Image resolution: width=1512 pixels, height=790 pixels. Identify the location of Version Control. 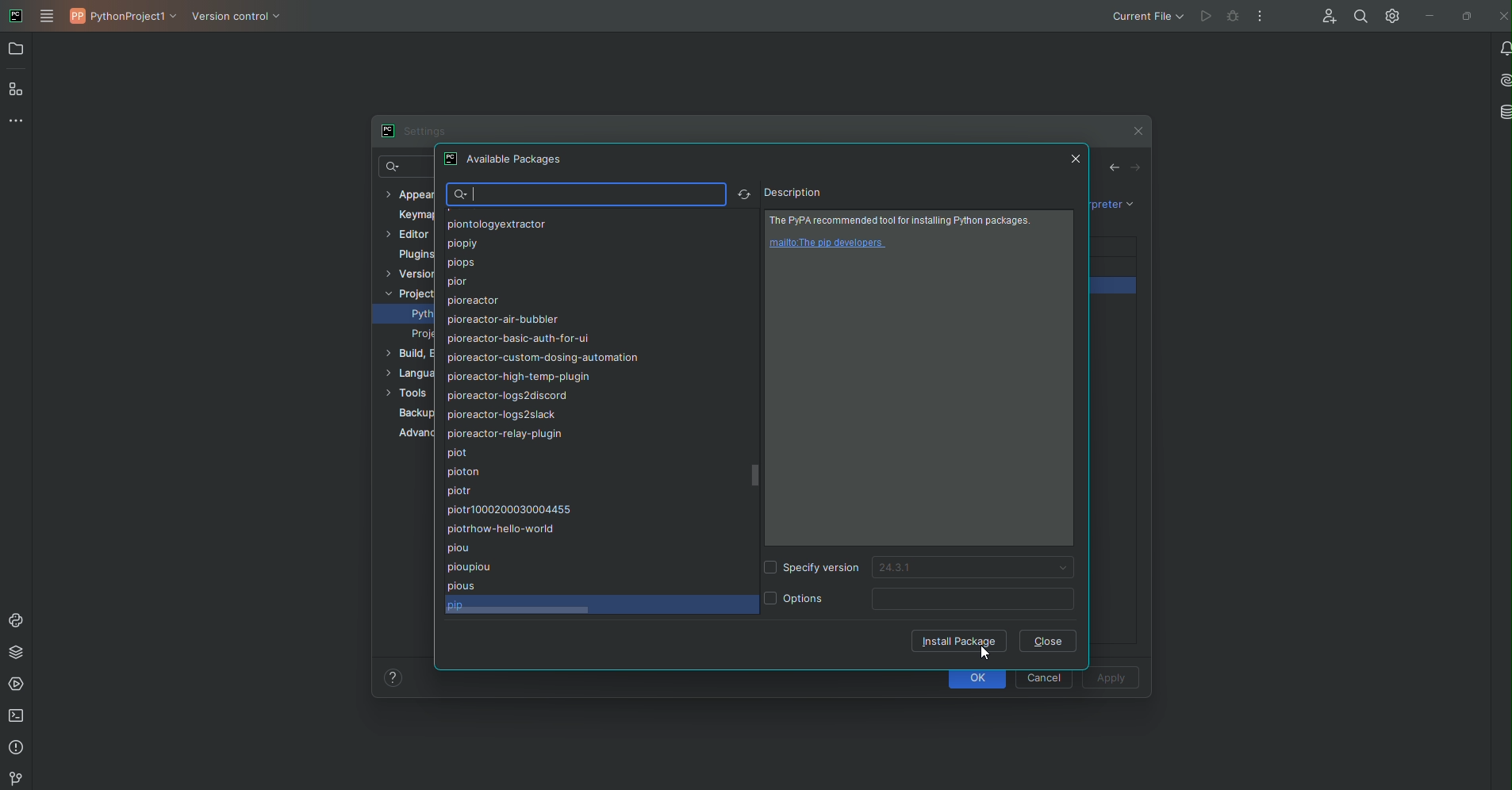
(241, 21).